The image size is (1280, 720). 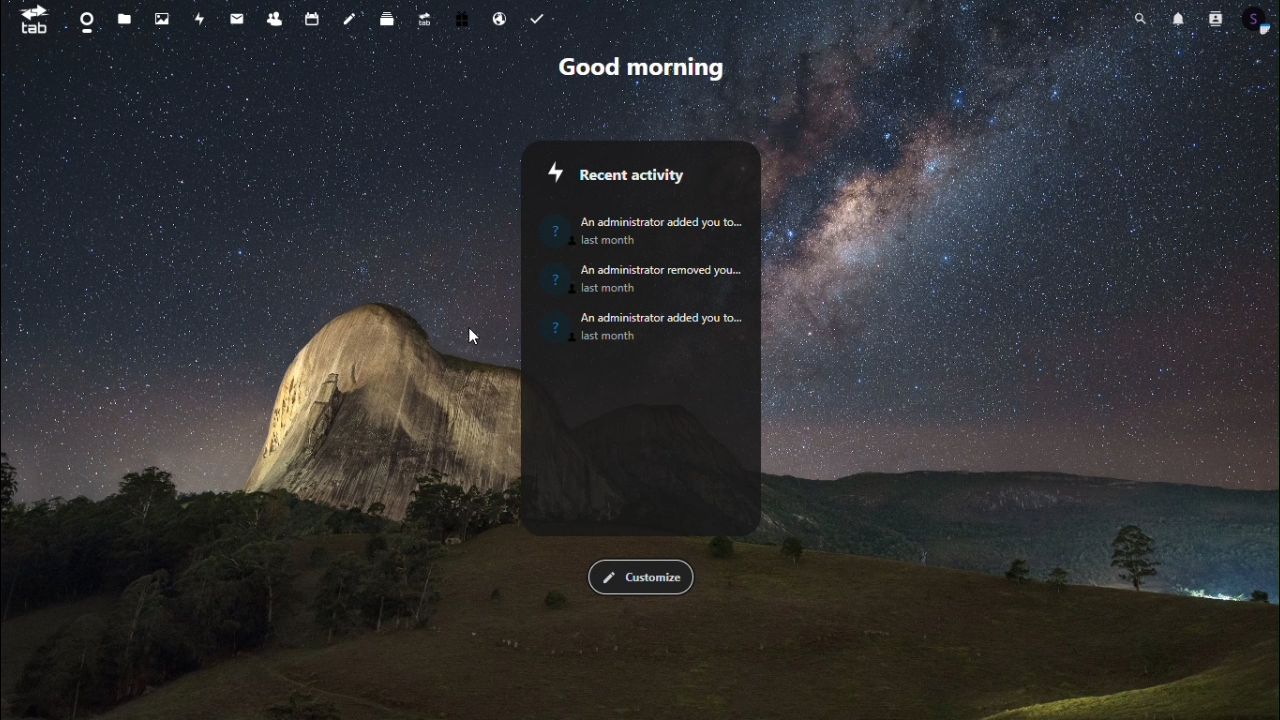 I want to click on last month, so click(x=607, y=336).